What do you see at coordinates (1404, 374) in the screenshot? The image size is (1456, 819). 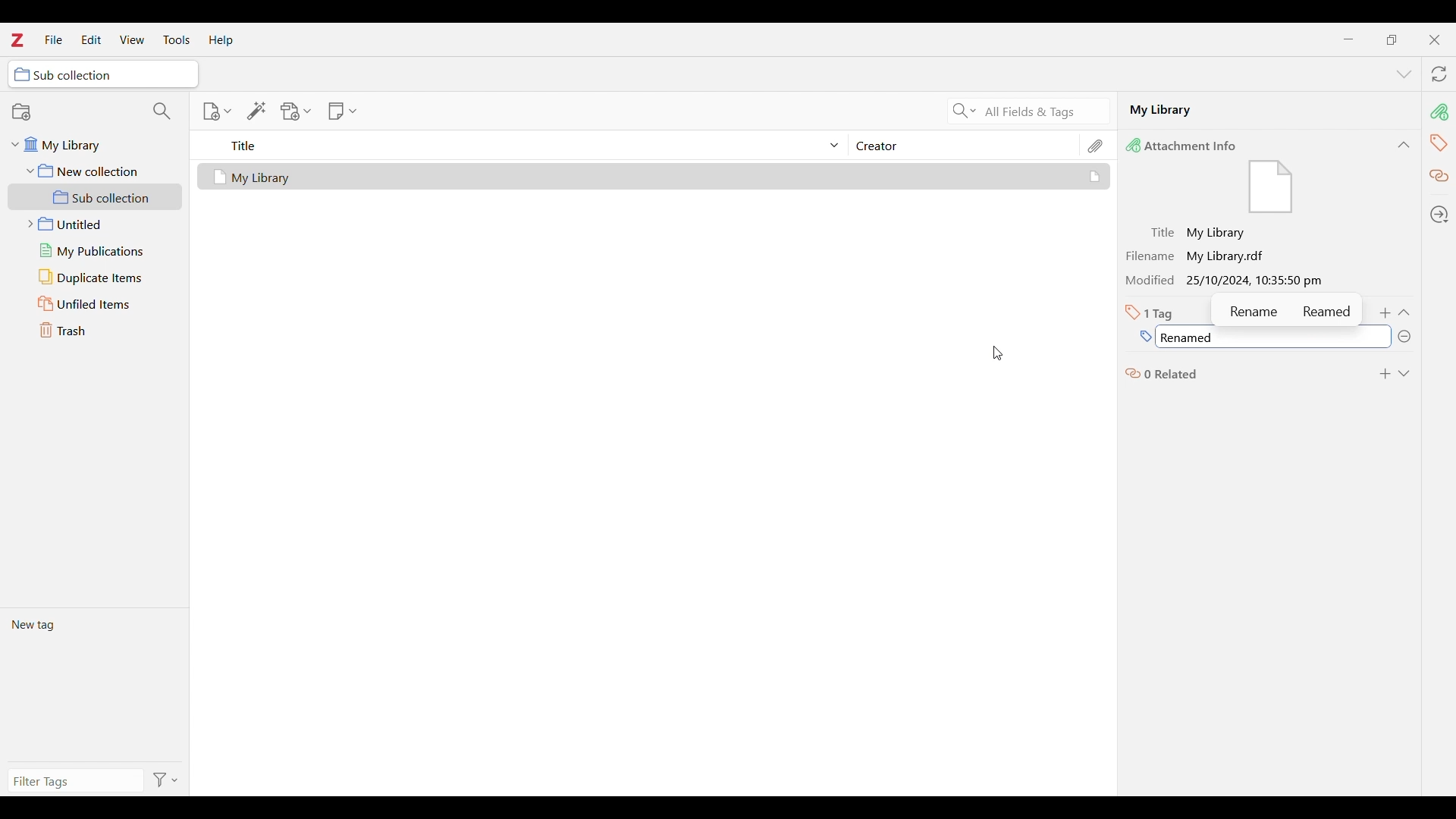 I see `Expand` at bounding box center [1404, 374].